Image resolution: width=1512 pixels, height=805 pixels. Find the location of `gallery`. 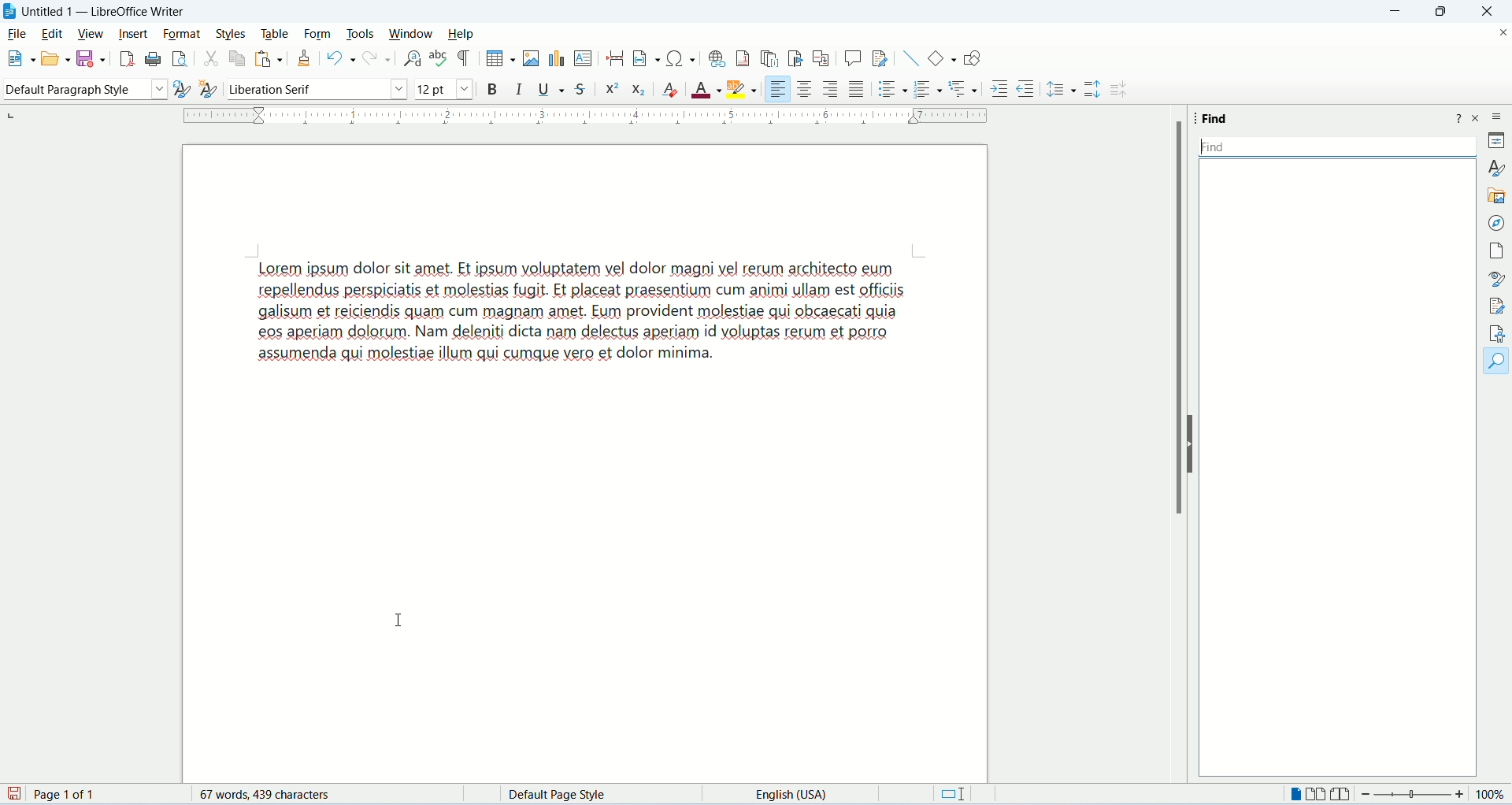

gallery is located at coordinates (1495, 194).